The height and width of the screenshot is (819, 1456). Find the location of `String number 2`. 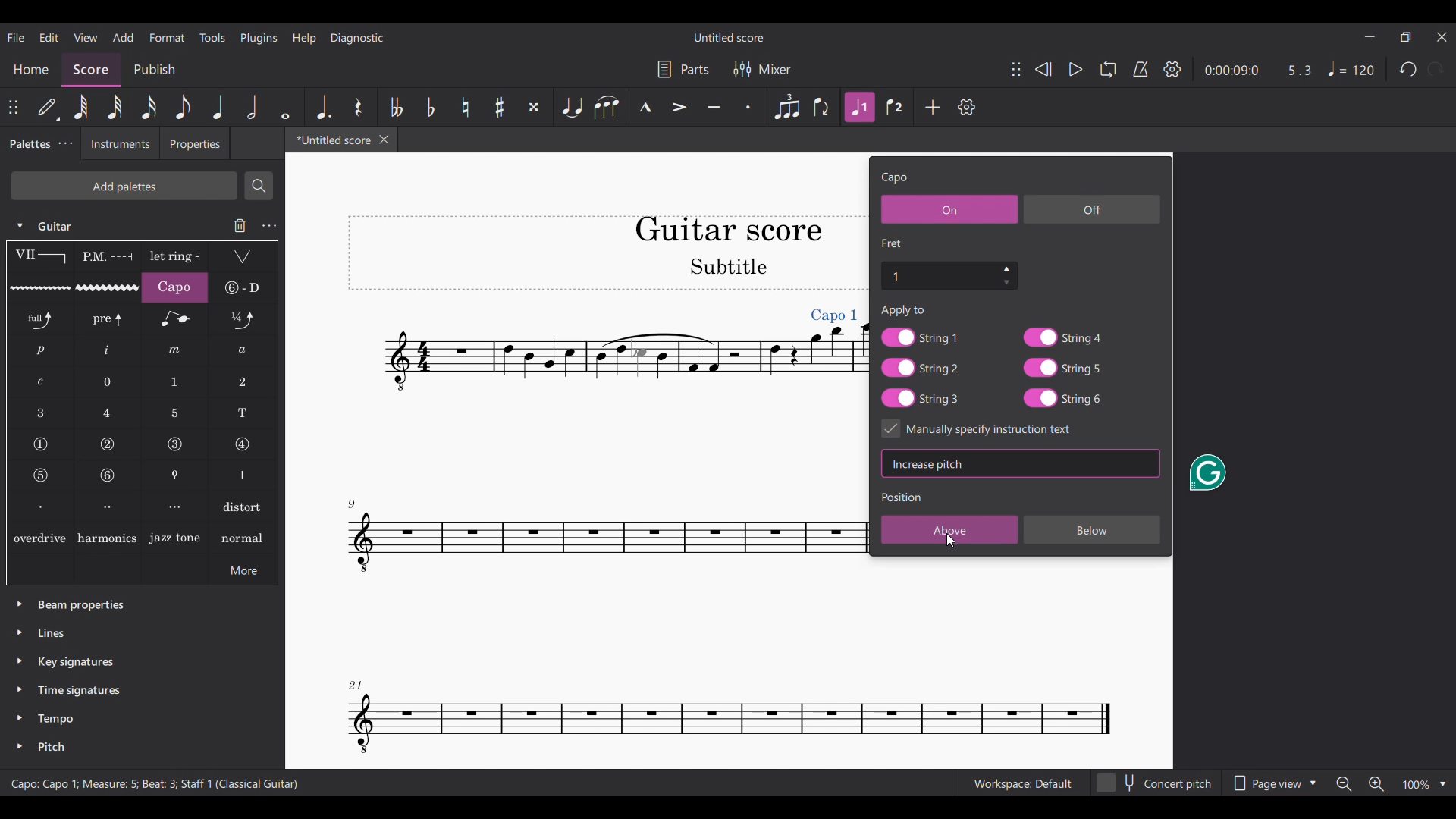

String number 2 is located at coordinates (108, 444).